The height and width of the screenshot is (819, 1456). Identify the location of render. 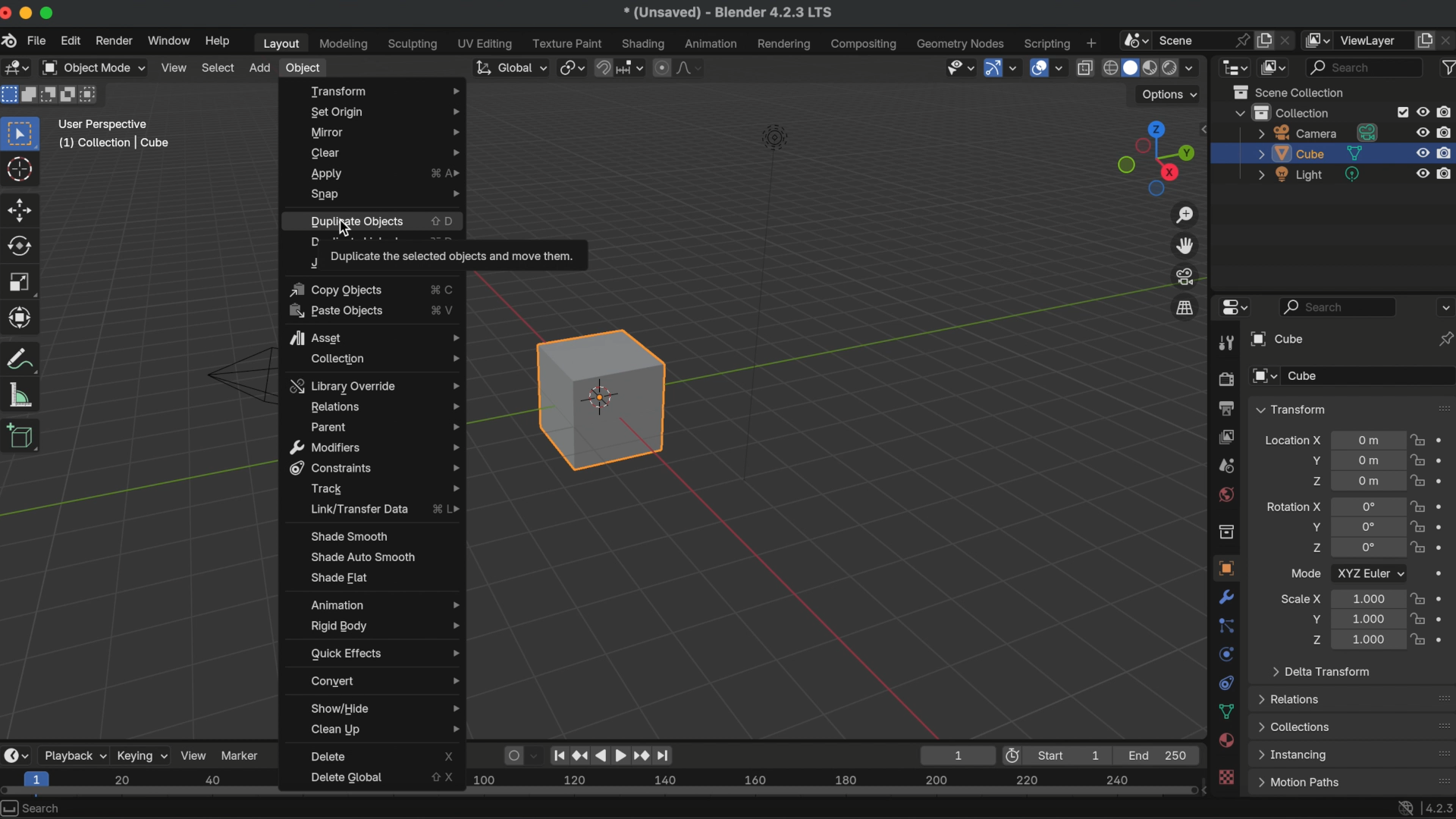
(1225, 380).